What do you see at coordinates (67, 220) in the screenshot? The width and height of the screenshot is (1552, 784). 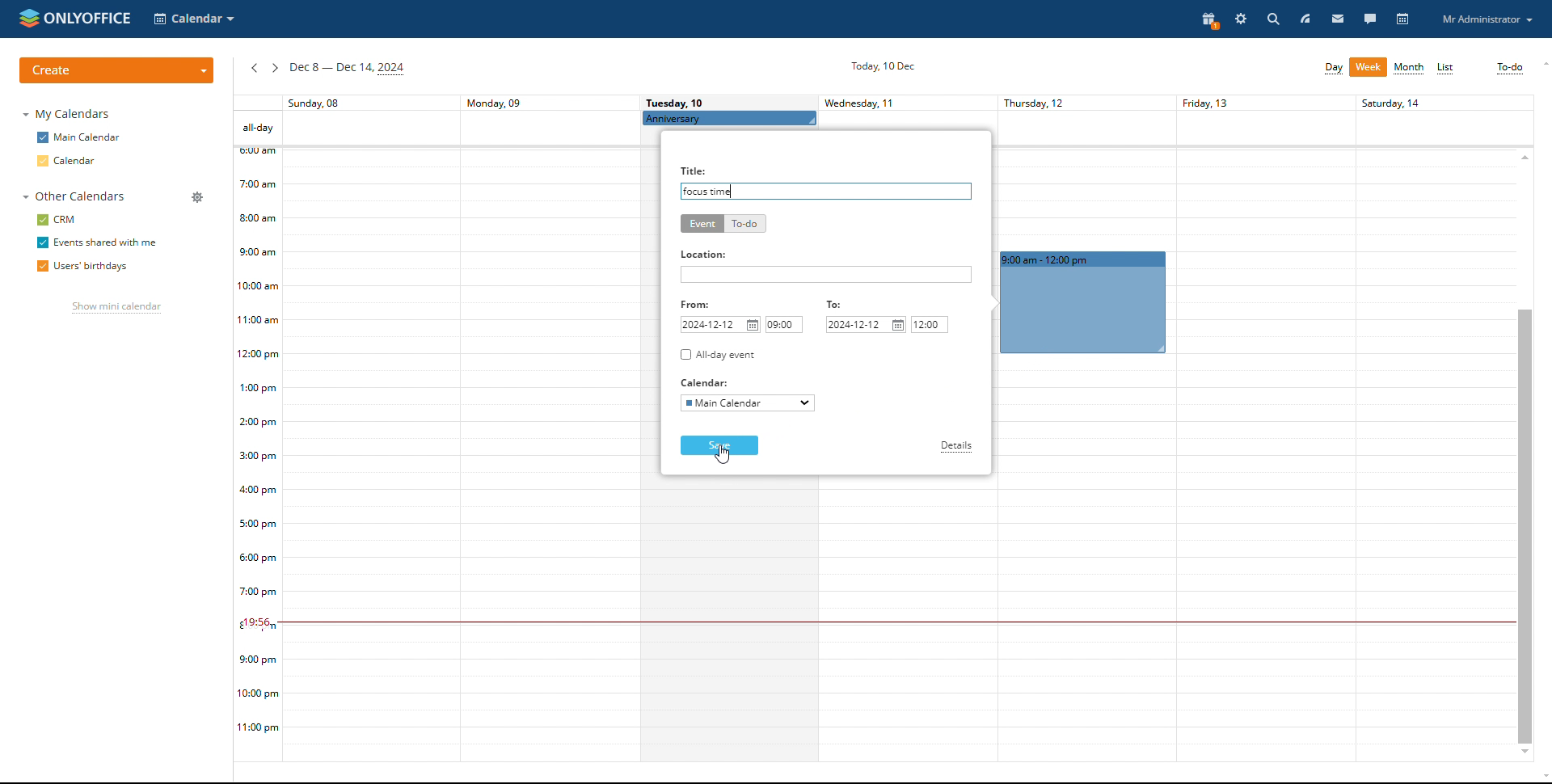 I see `crm` at bounding box center [67, 220].